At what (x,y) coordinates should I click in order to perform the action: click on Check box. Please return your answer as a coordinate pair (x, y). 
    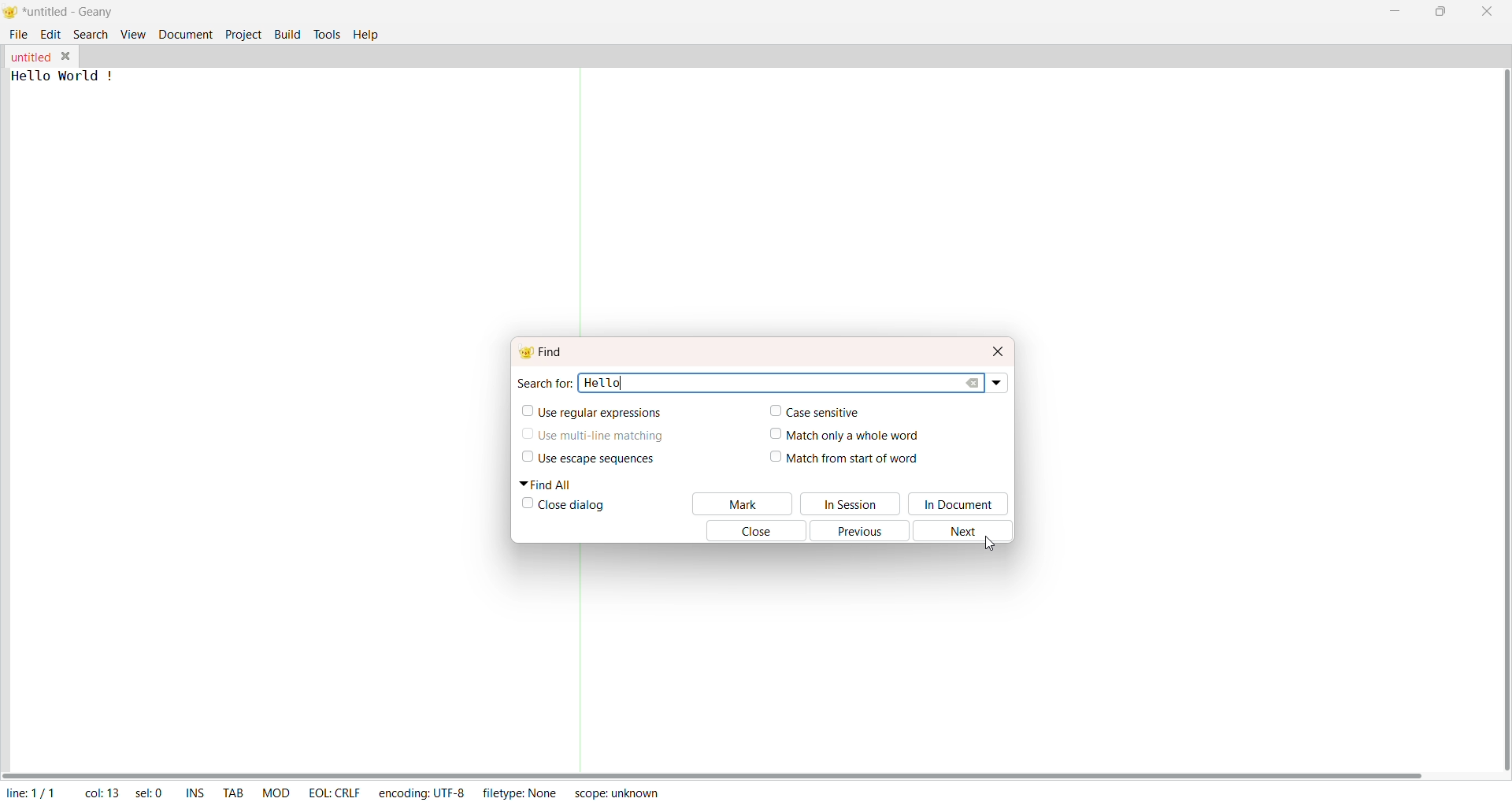
    Looking at the image, I should click on (525, 505).